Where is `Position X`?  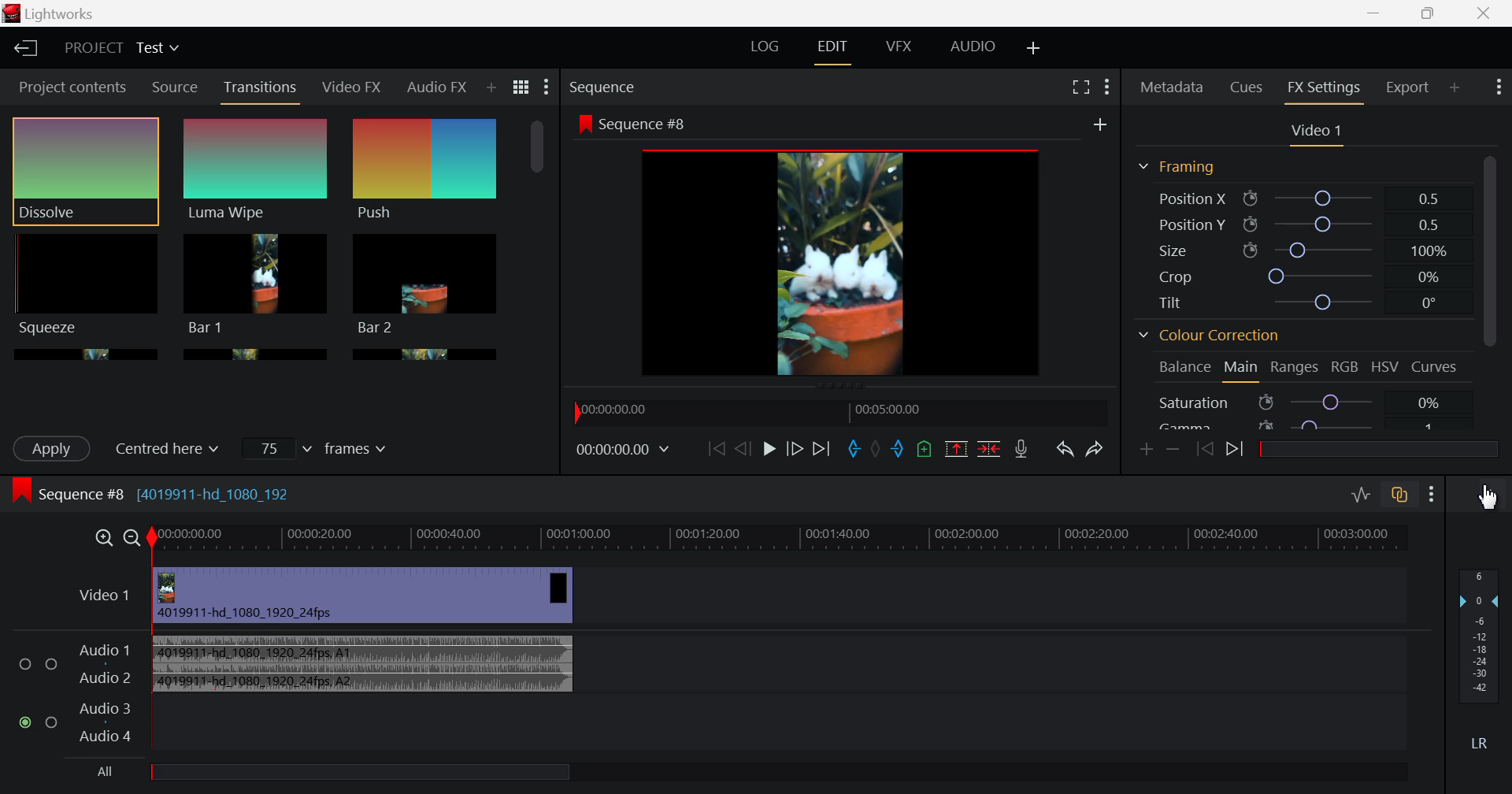 Position X is located at coordinates (1301, 198).